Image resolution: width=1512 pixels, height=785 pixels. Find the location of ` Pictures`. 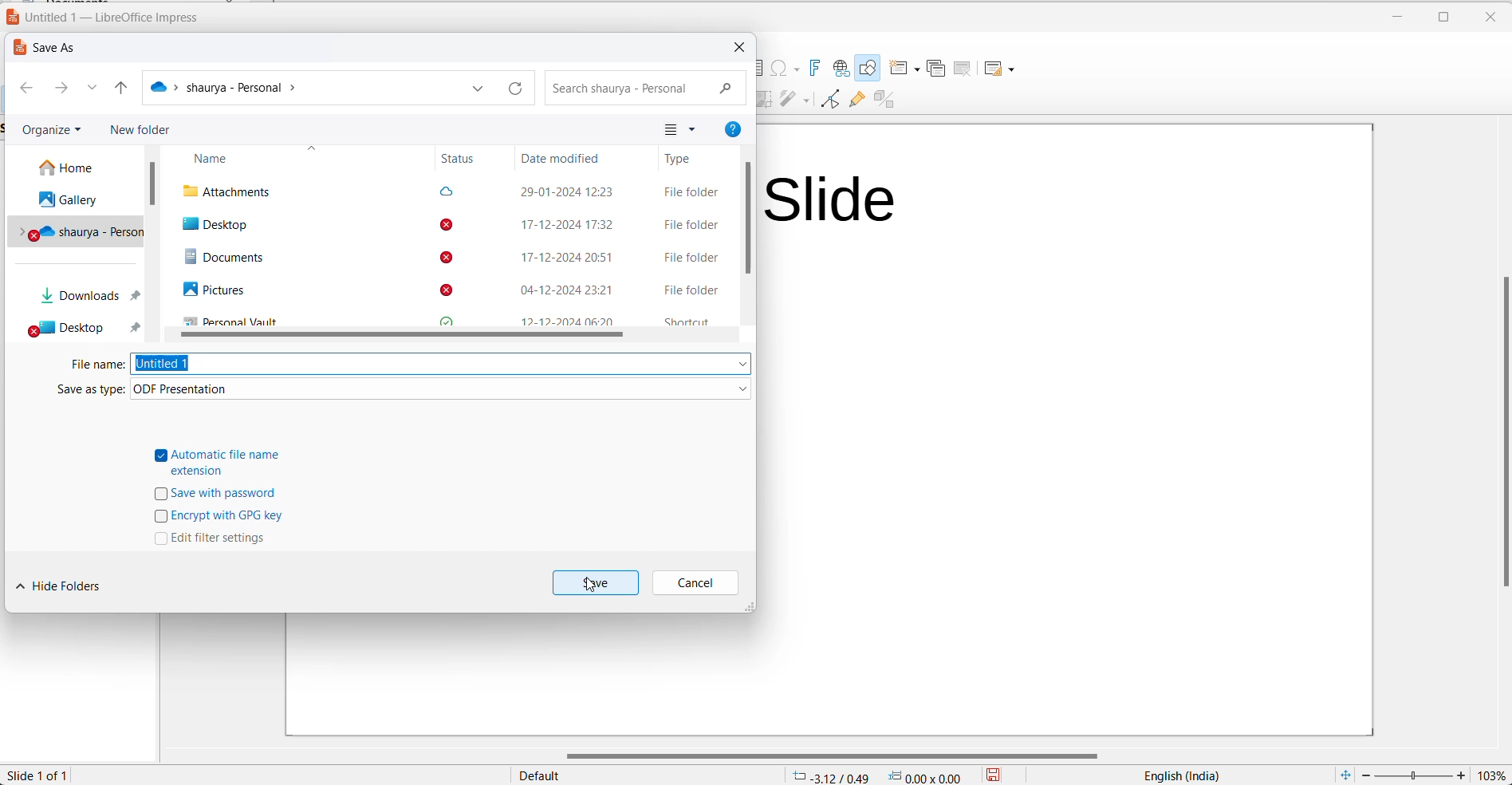

 Pictures is located at coordinates (208, 290).